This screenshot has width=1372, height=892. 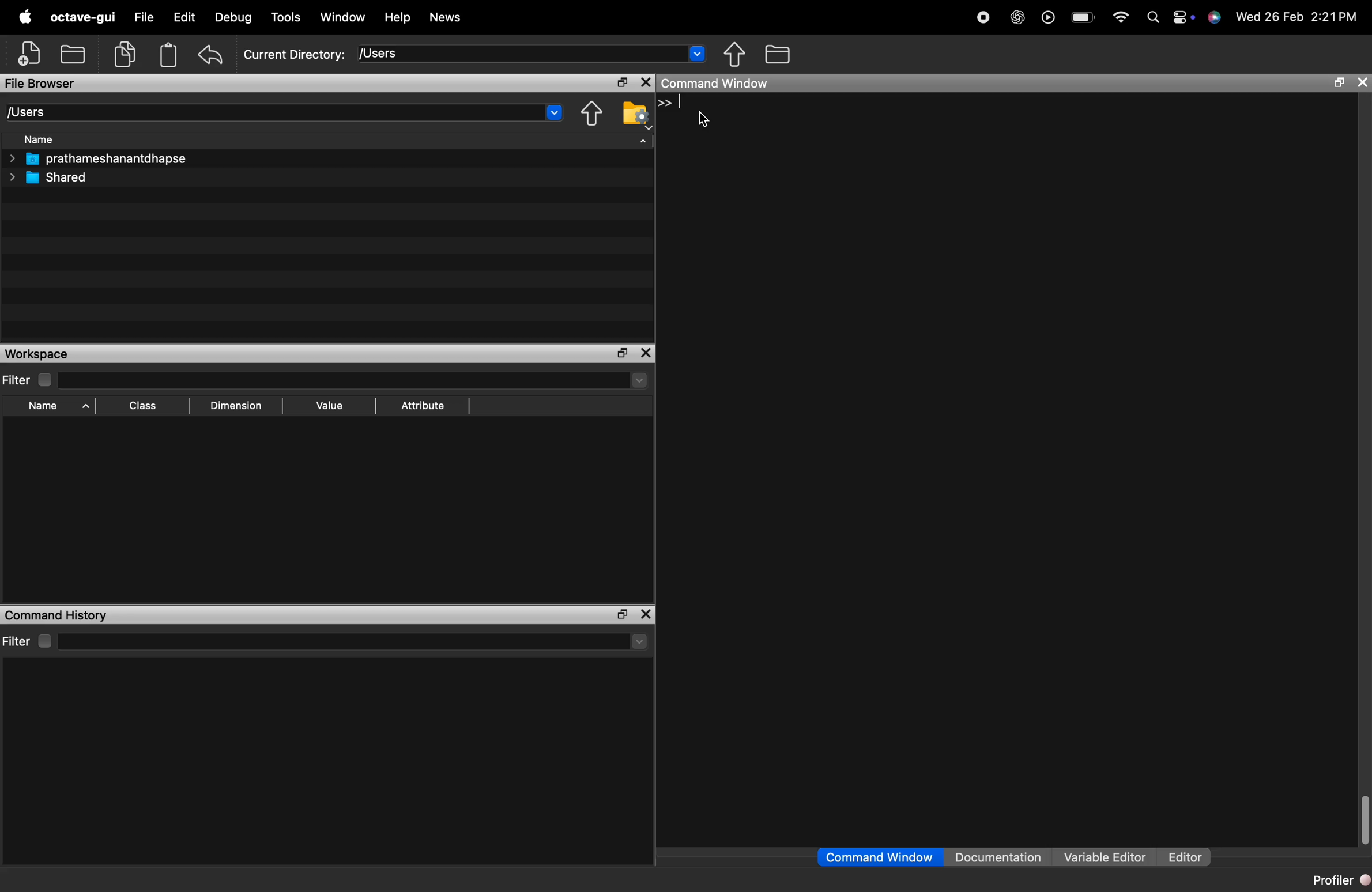 What do you see at coordinates (1087, 12) in the screenshot?
I see `battery` at bounding box center [1087, 12].